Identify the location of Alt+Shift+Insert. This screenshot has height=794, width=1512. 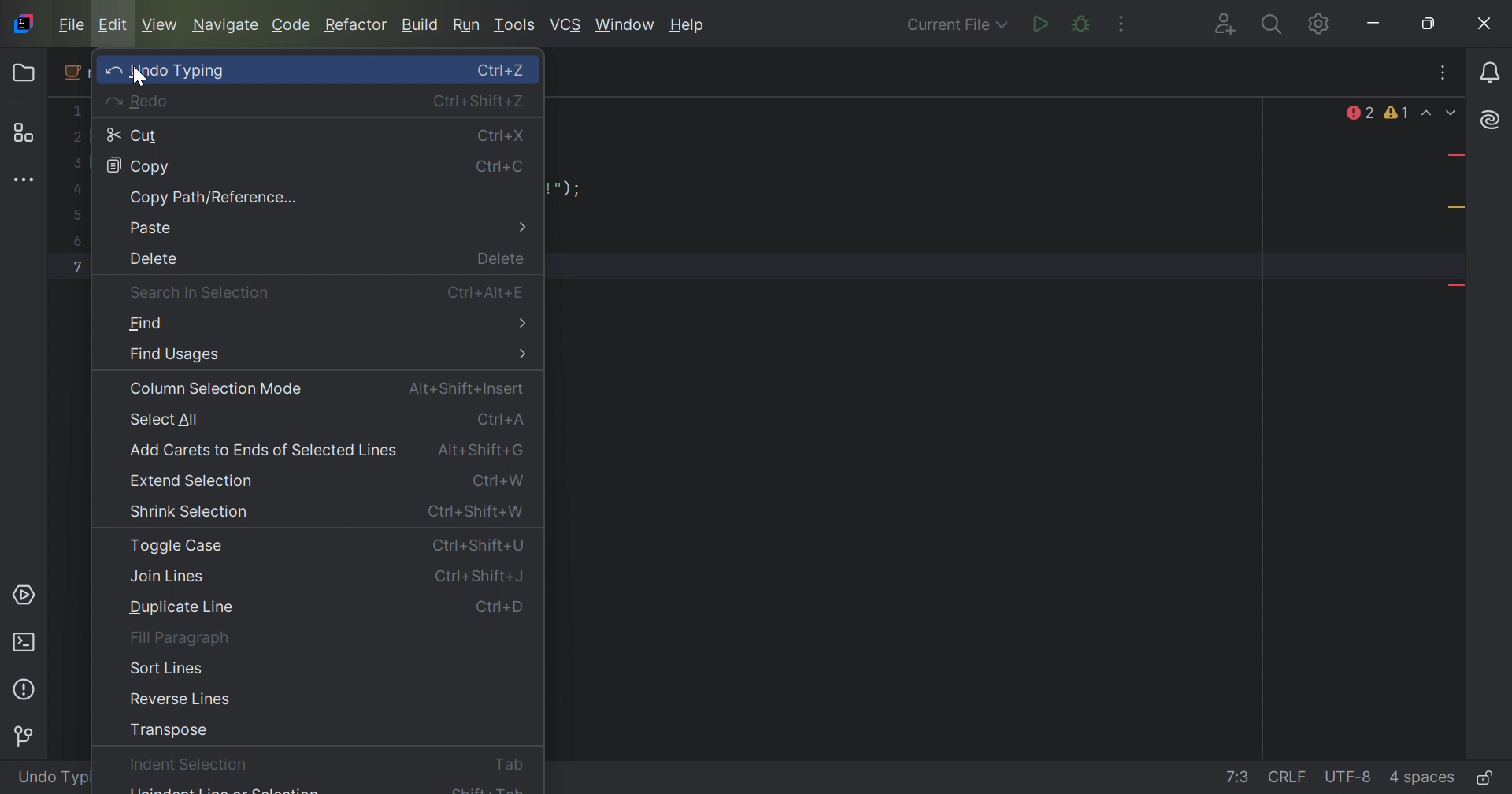
(467, 388).